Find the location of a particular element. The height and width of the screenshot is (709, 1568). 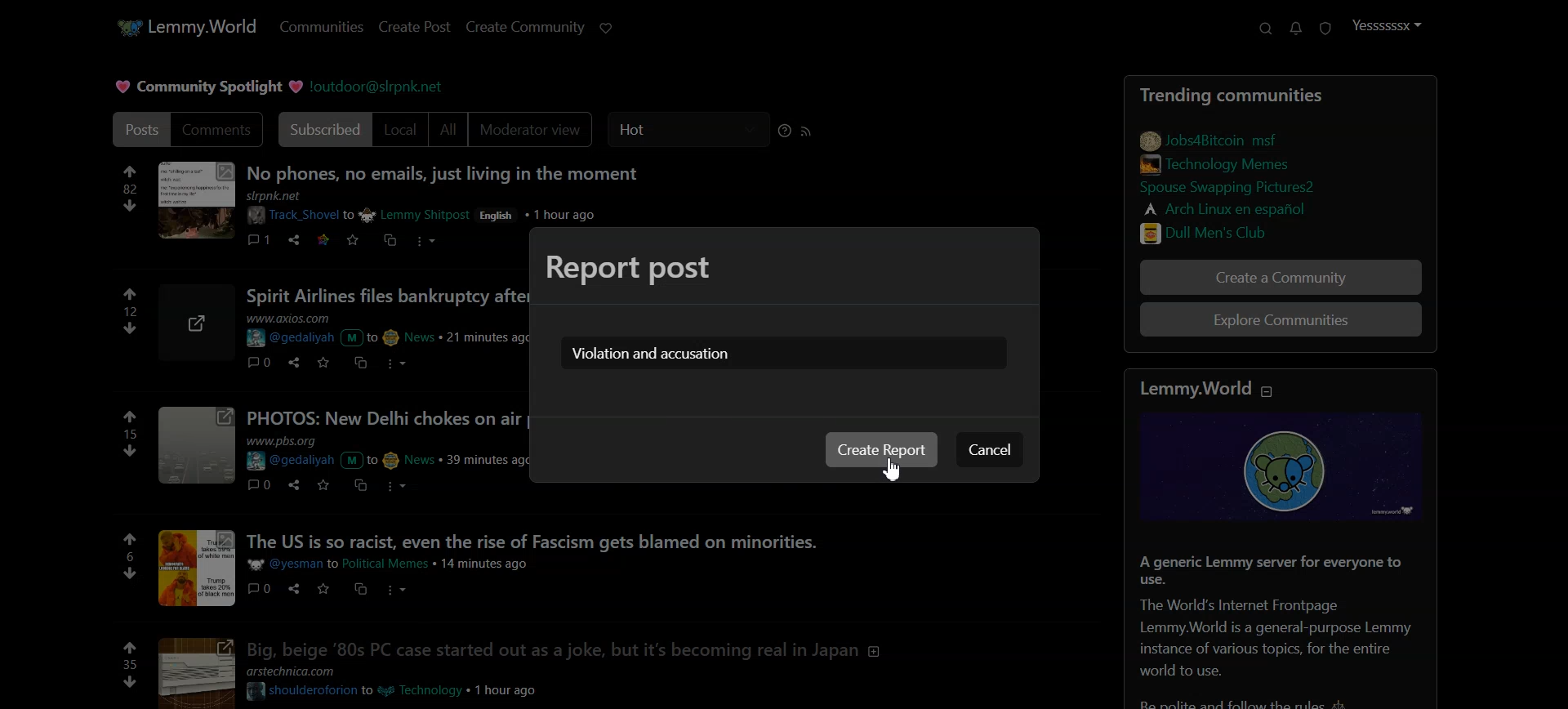

Create a Community is located at coordinates (1281, 277).